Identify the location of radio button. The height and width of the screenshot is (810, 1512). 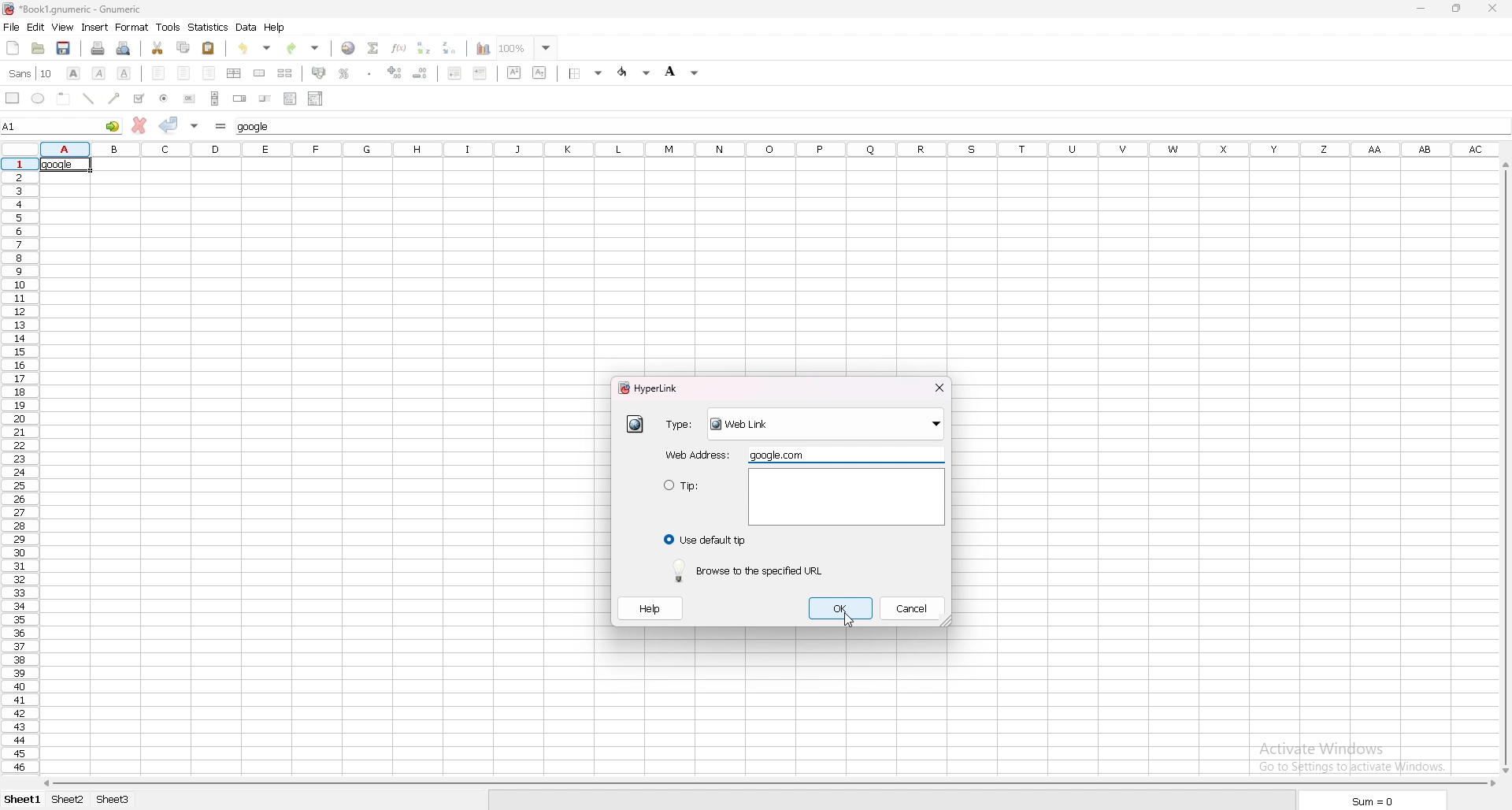
(168, 98).